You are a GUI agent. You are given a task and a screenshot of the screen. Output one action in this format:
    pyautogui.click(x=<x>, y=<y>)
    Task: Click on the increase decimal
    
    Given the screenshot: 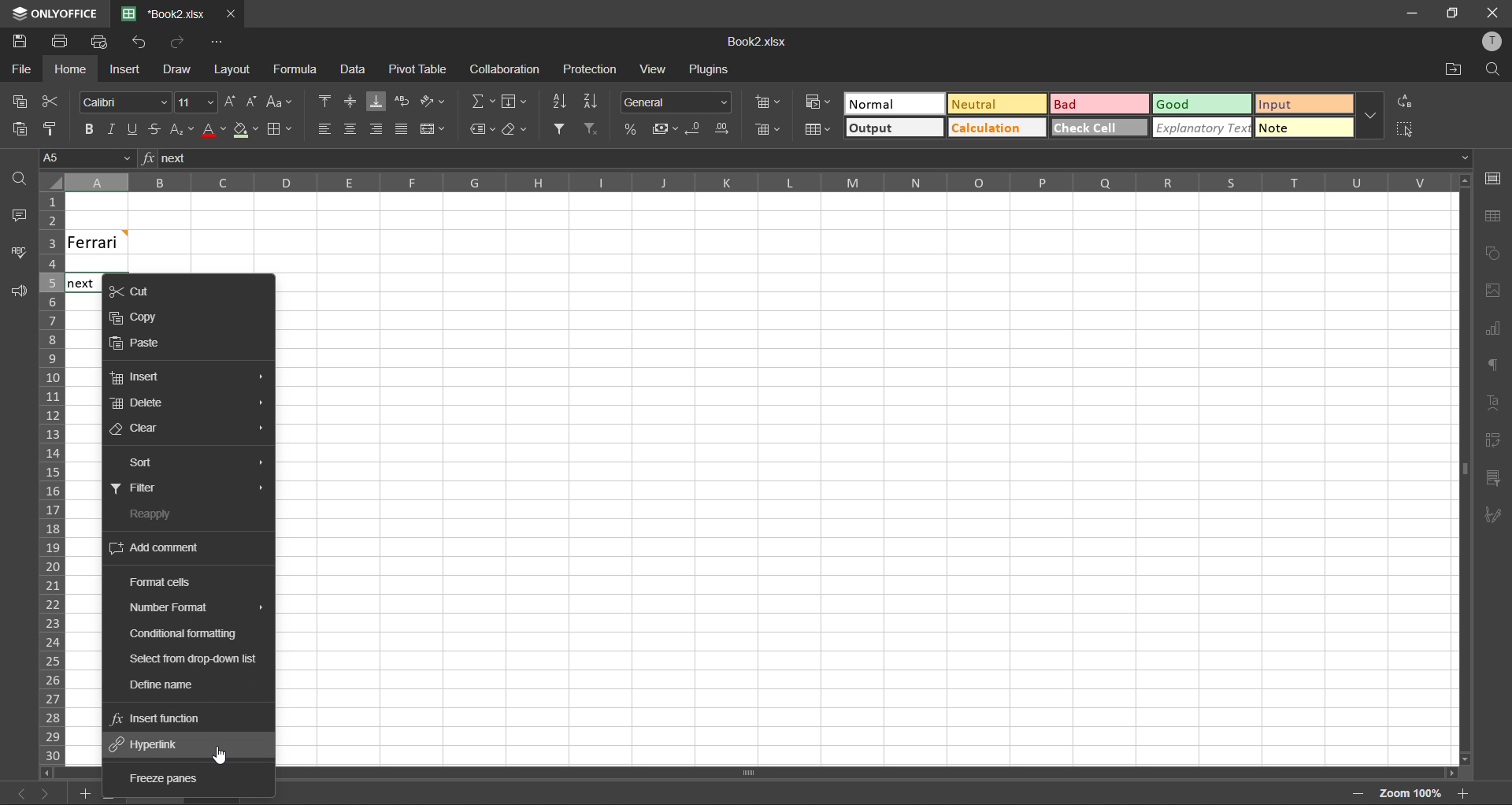 What is the action you would take?
    pyautogui.click(x=724, y=128)
    